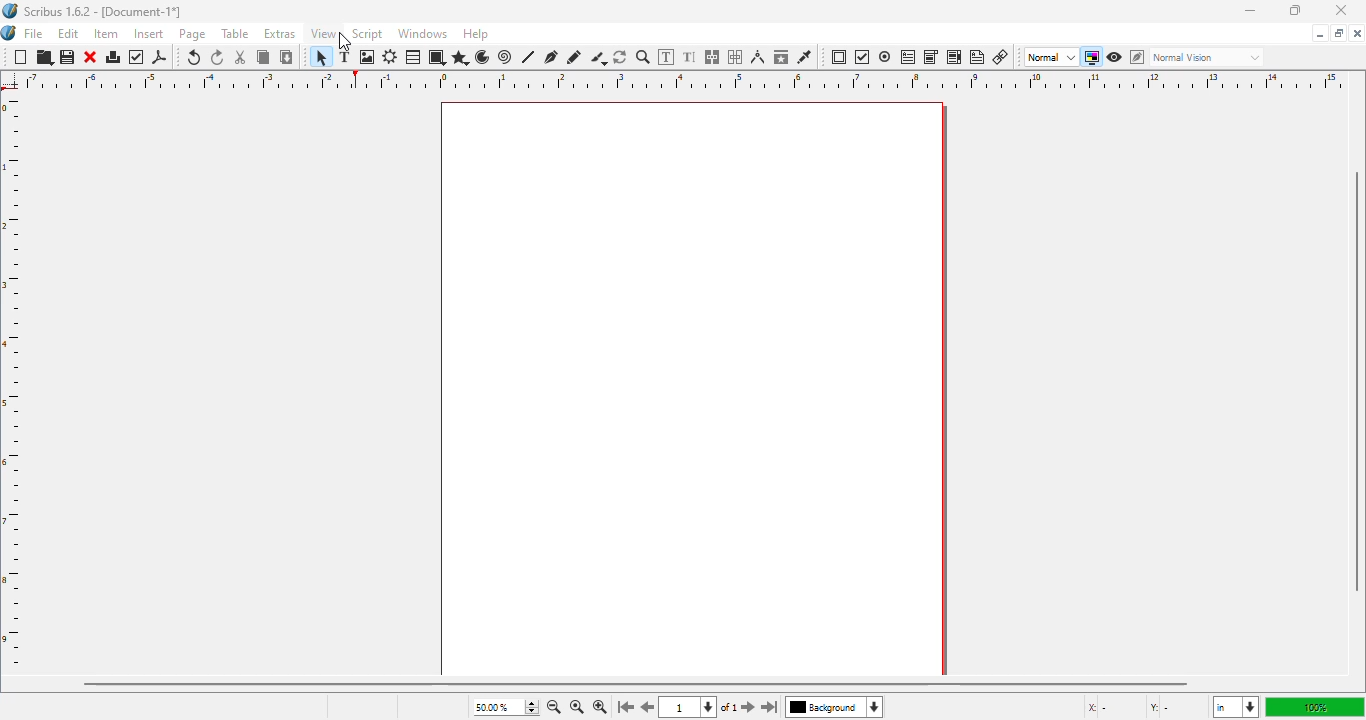 The width and height of the screenshot is (1366, 720). Describe the element at coordinates (978, 57) in the screenshot. I see `text annotation` at that location.